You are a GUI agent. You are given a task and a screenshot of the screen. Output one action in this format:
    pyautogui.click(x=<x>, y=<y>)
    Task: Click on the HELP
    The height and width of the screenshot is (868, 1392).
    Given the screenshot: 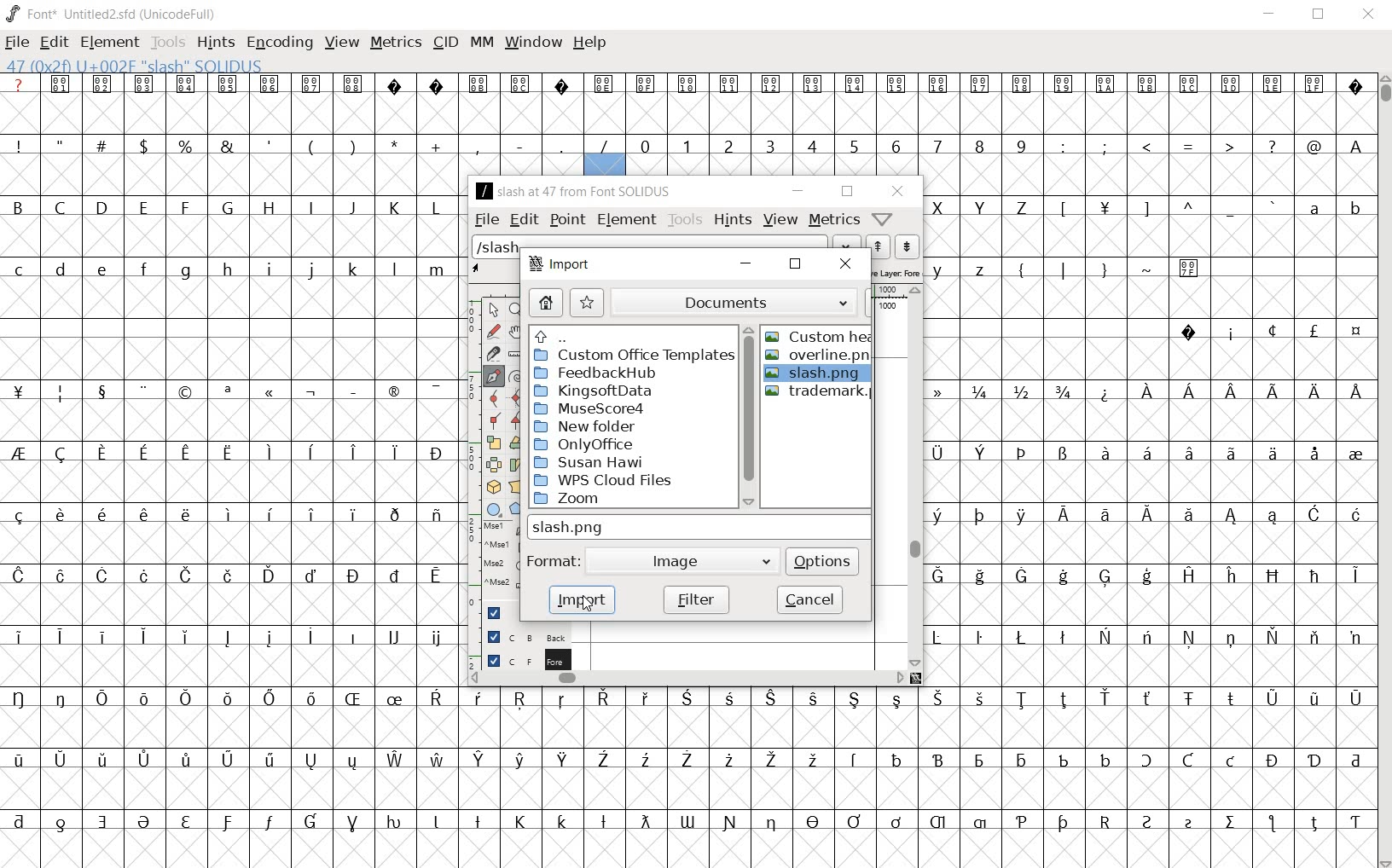 What is the action you would take?
    pyautogui.click(x=590, y=43)
    